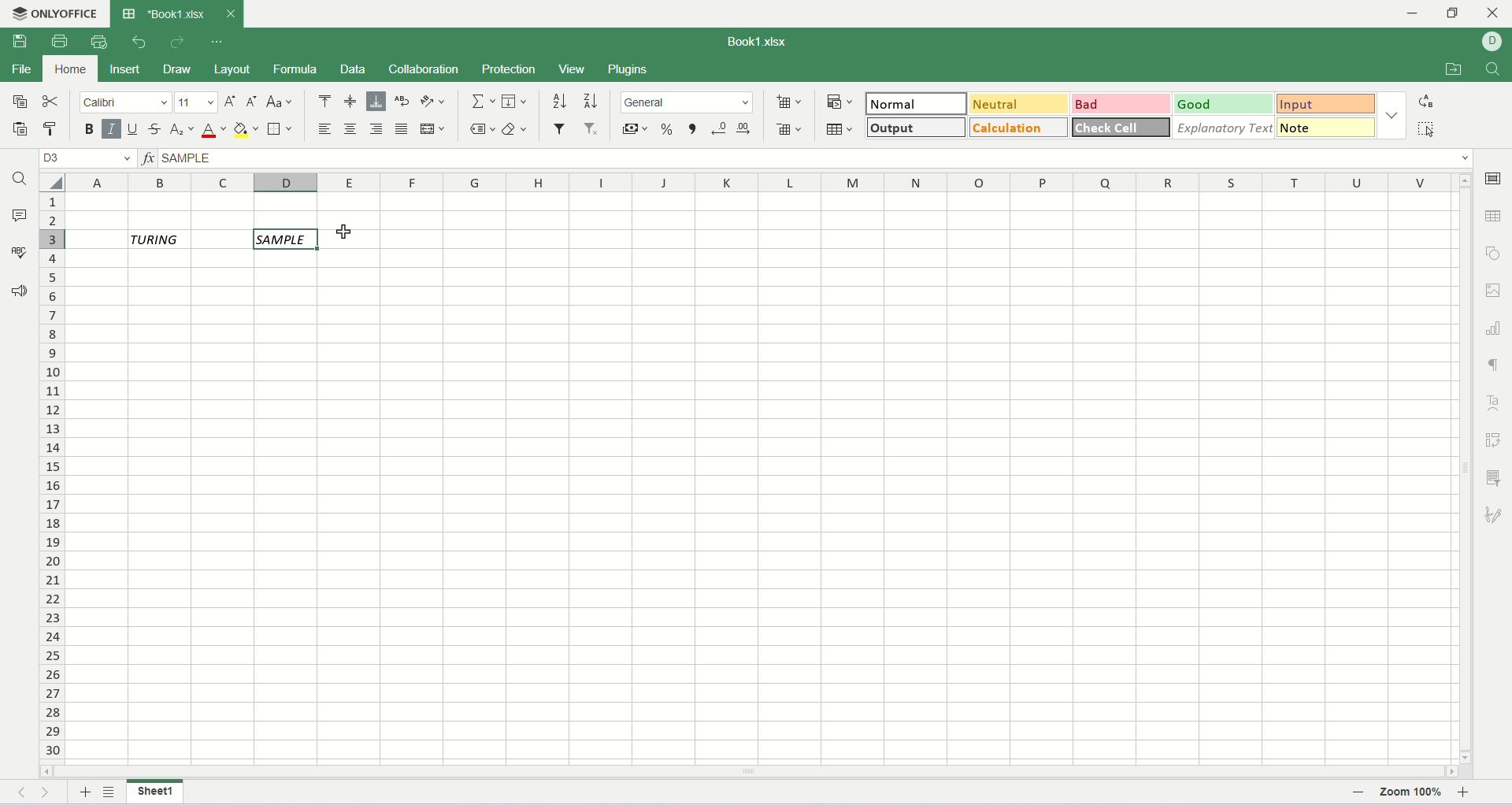 This screenshot has height=805, width=1512. What do you see at coordinates (432, 128) in the screenshot?
I see `merge and center` at bounding box center [432, 128].